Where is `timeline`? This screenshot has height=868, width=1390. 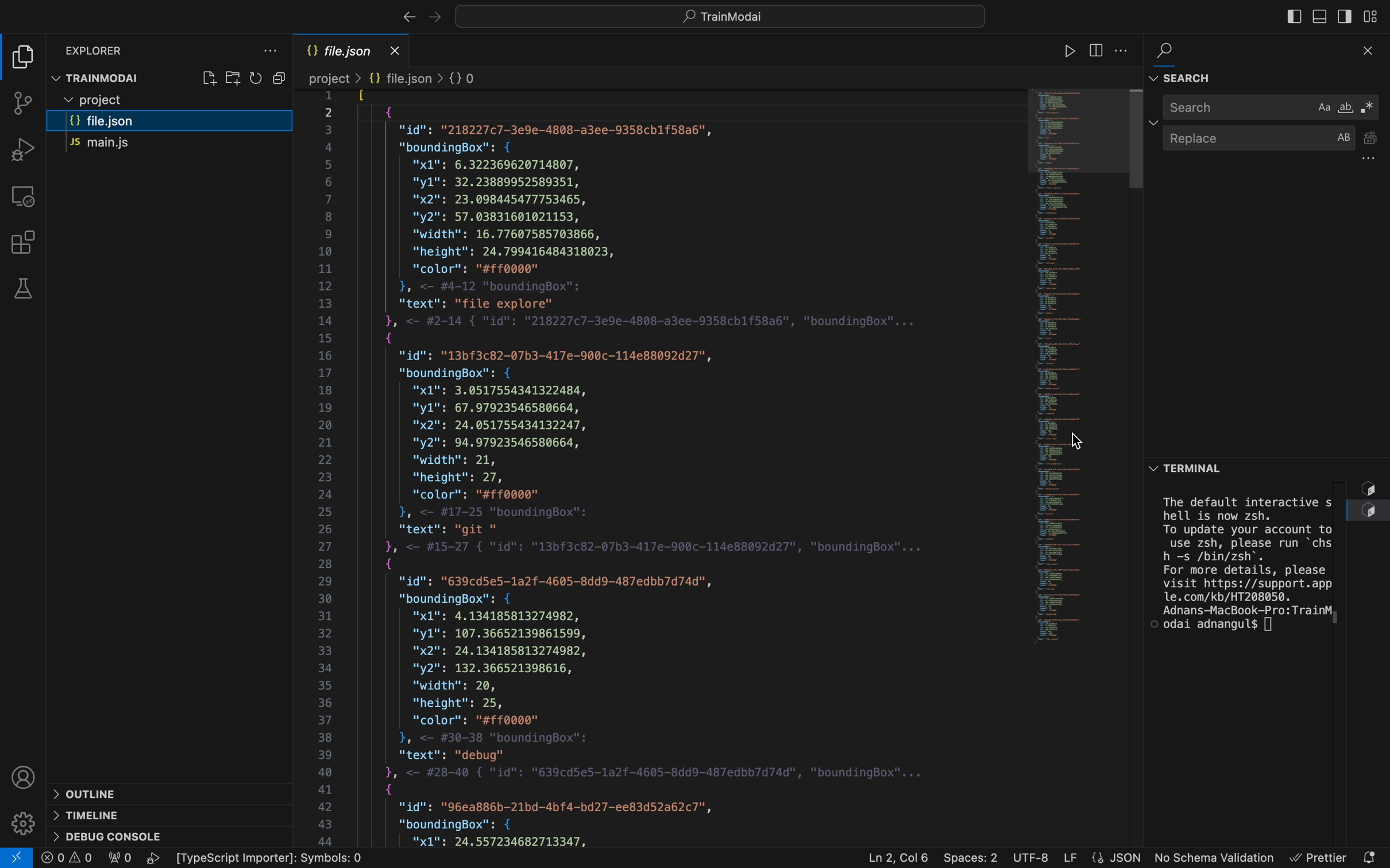 timeline is located at coordinates (119, 816).